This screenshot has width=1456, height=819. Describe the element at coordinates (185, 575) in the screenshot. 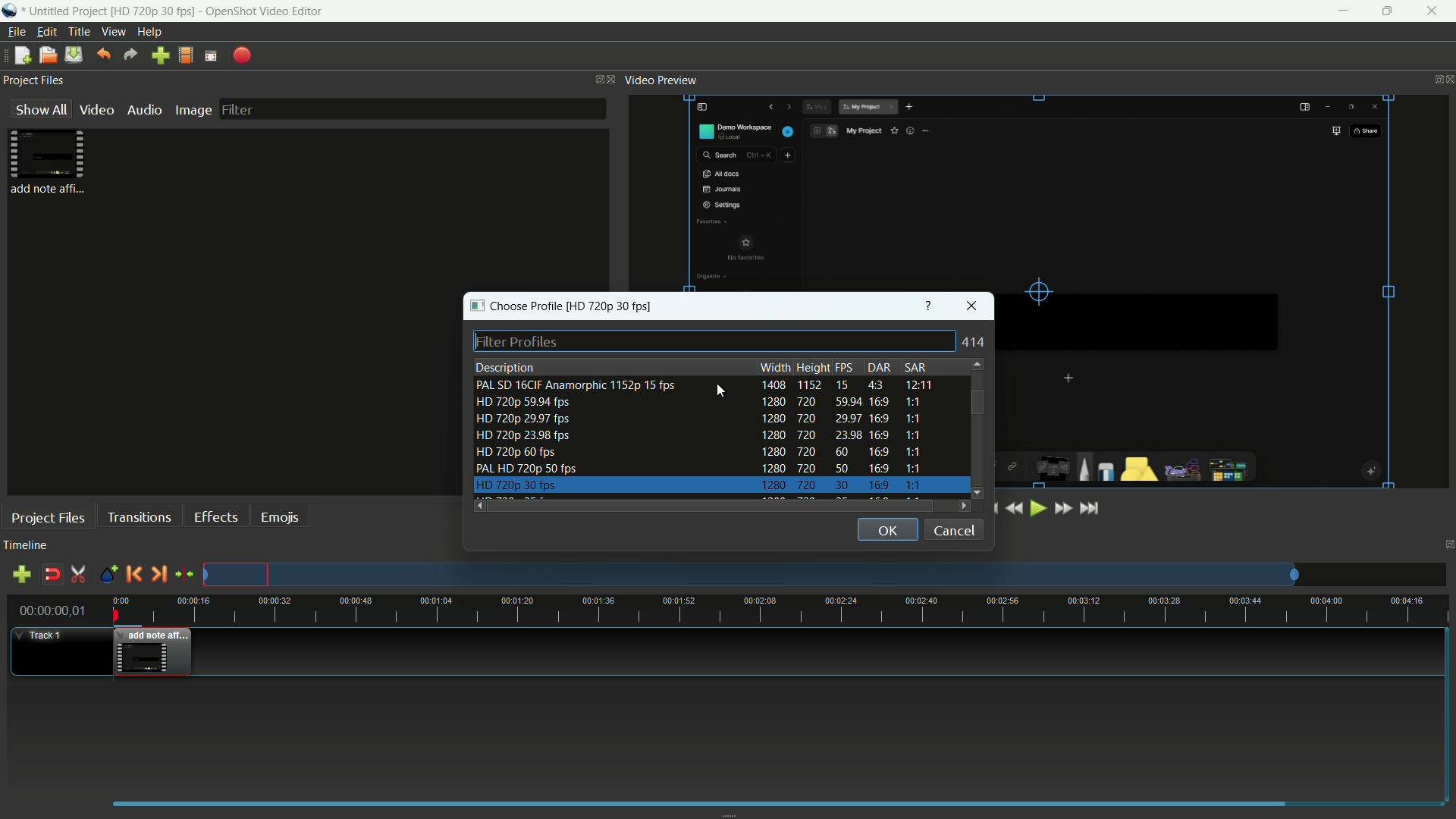

I see `center the timeline on the playhead` at that location.